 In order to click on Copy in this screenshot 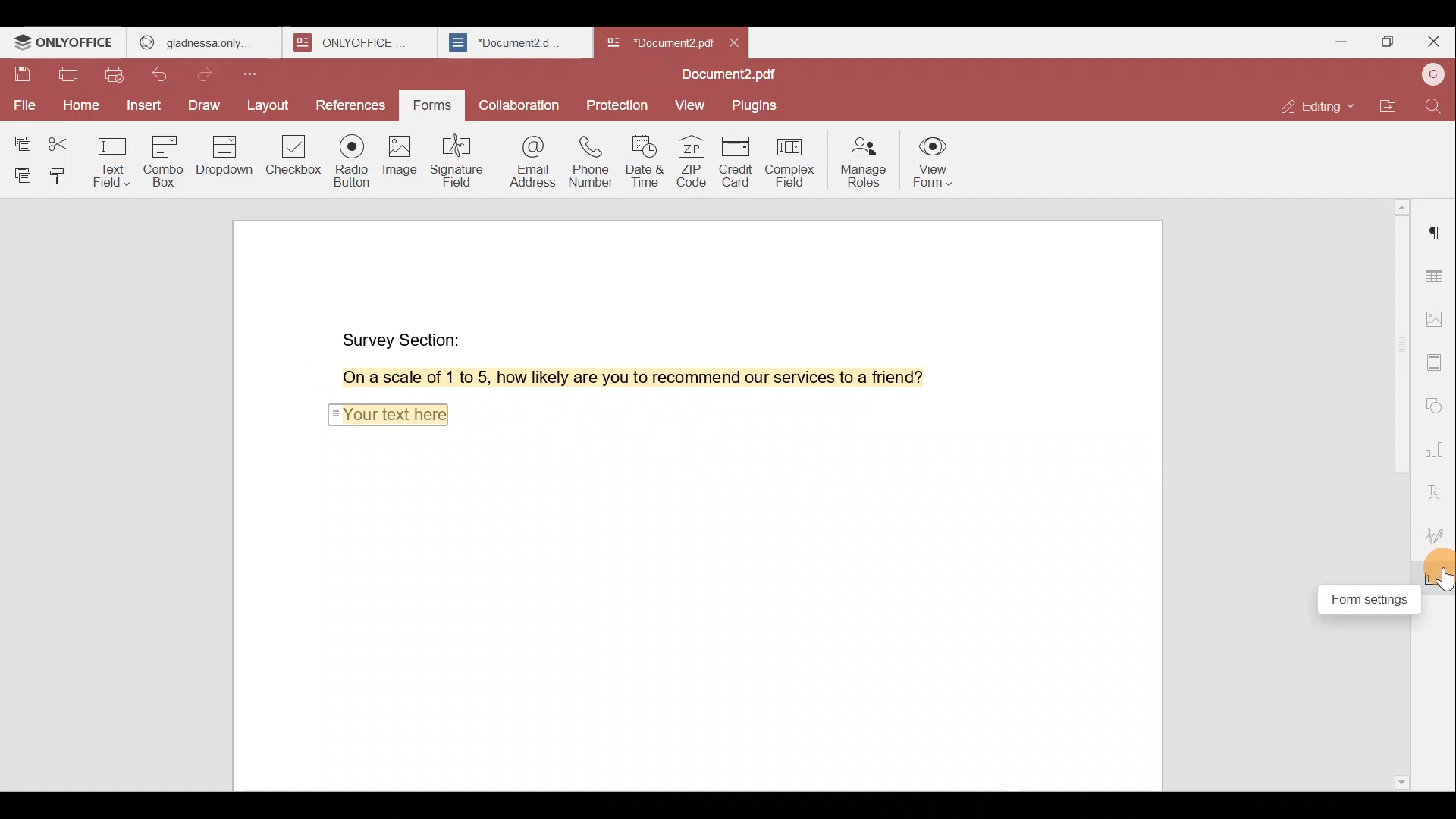, I will do `click(21, 137)`.